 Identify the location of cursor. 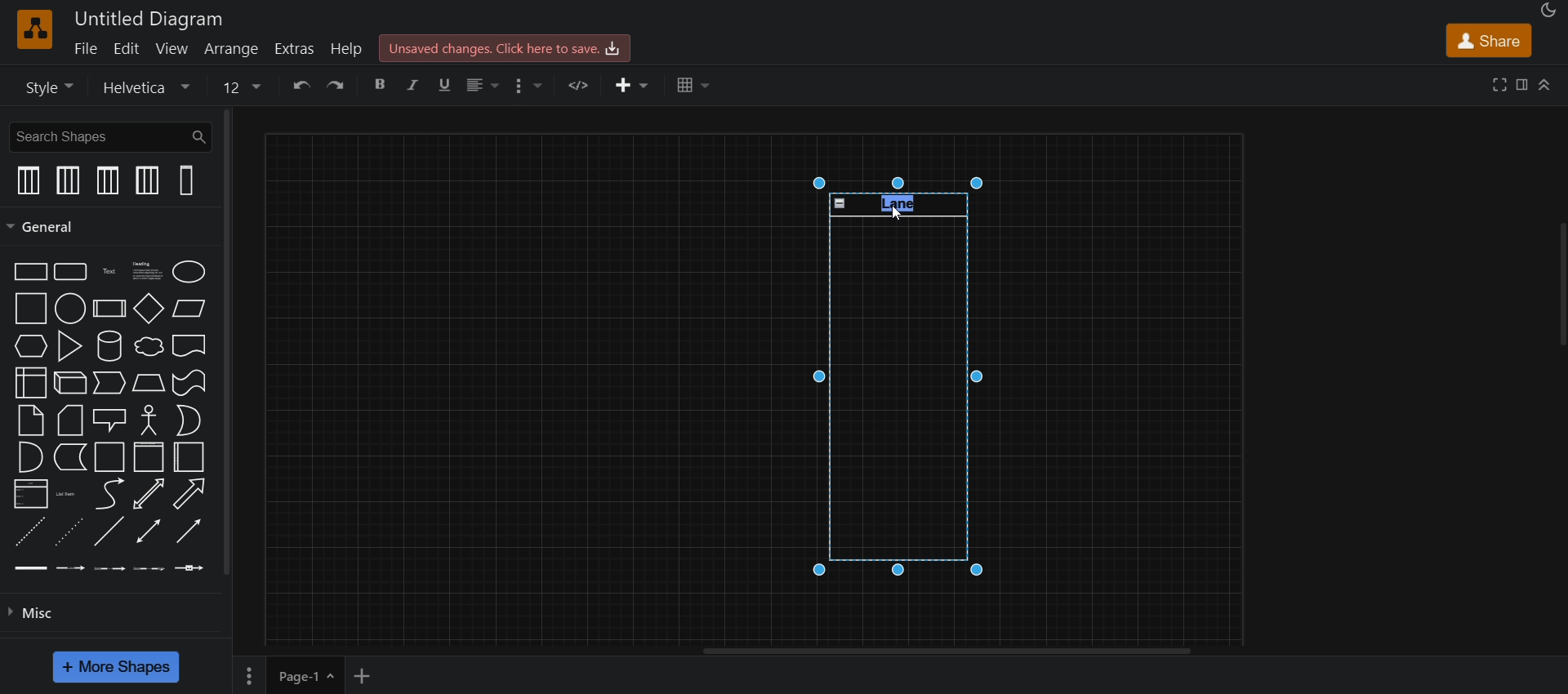
(902, 214).